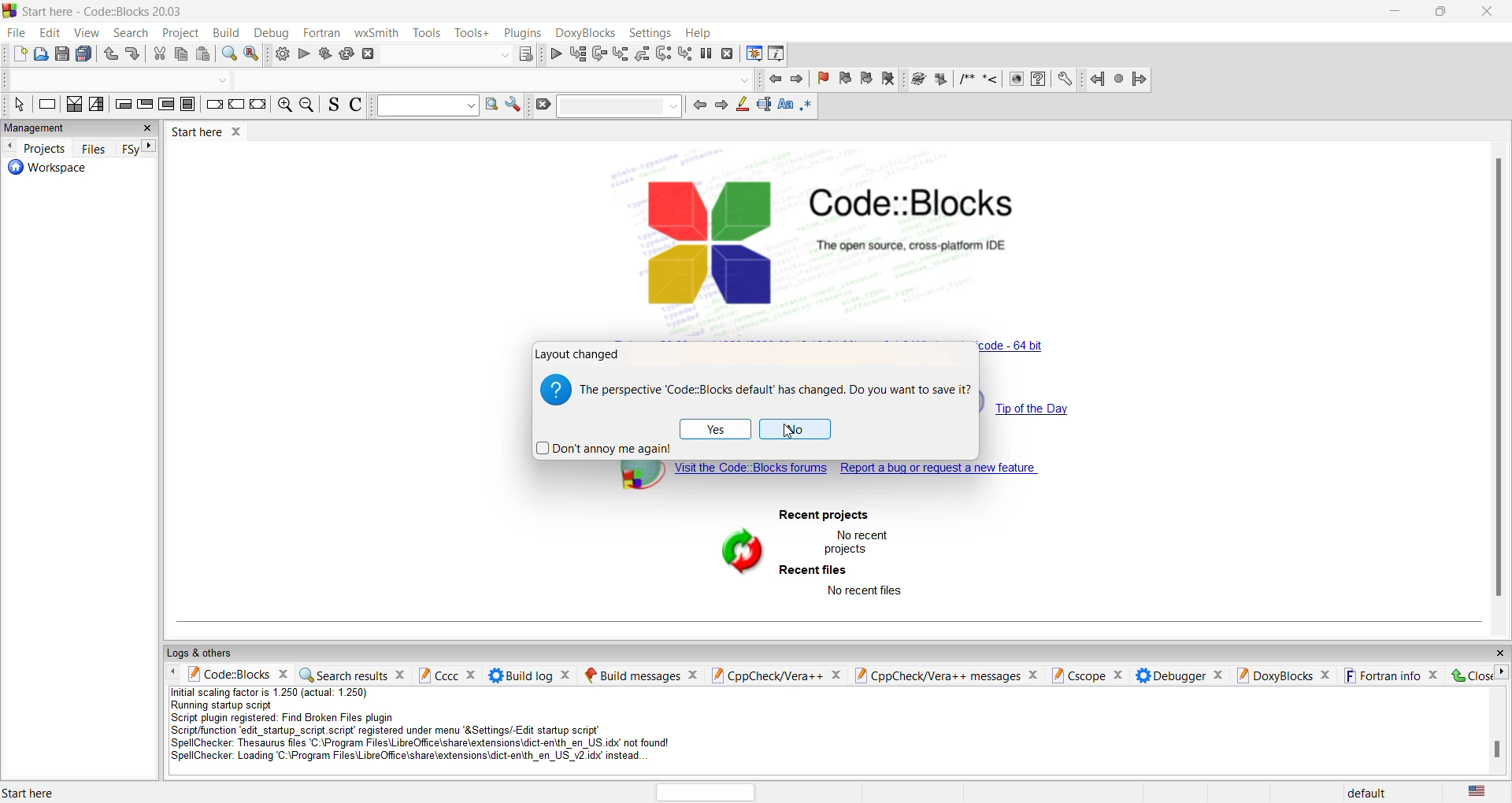 The image size is (1512, 803). Describe the element at coordinates (708, 483) in the screenshot. I see `block forums` at that location.